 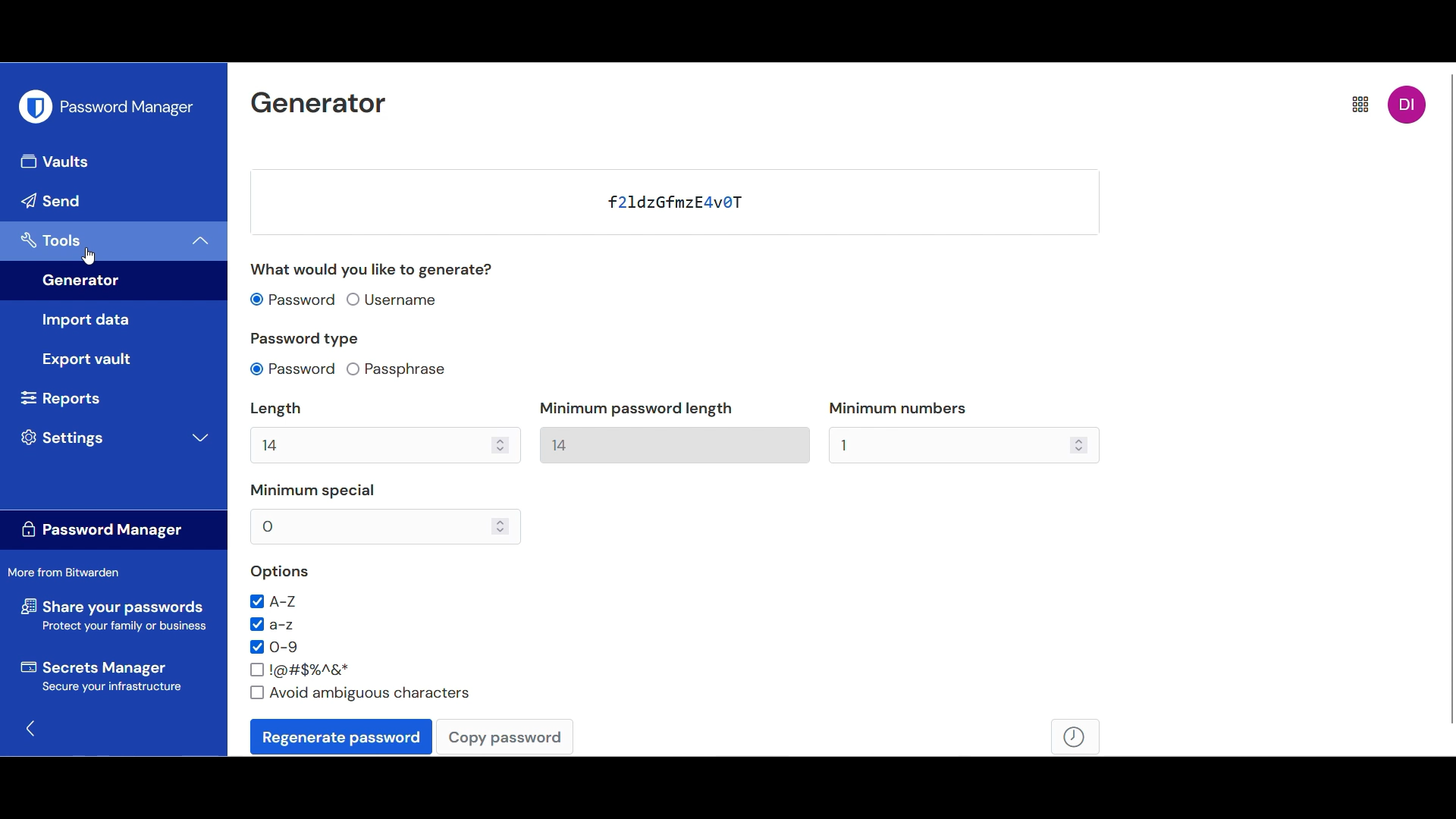 What do you see at coordinates (293, 369) in the screenshot?
I see `Password, current selection` at bounding box center [293, 369].